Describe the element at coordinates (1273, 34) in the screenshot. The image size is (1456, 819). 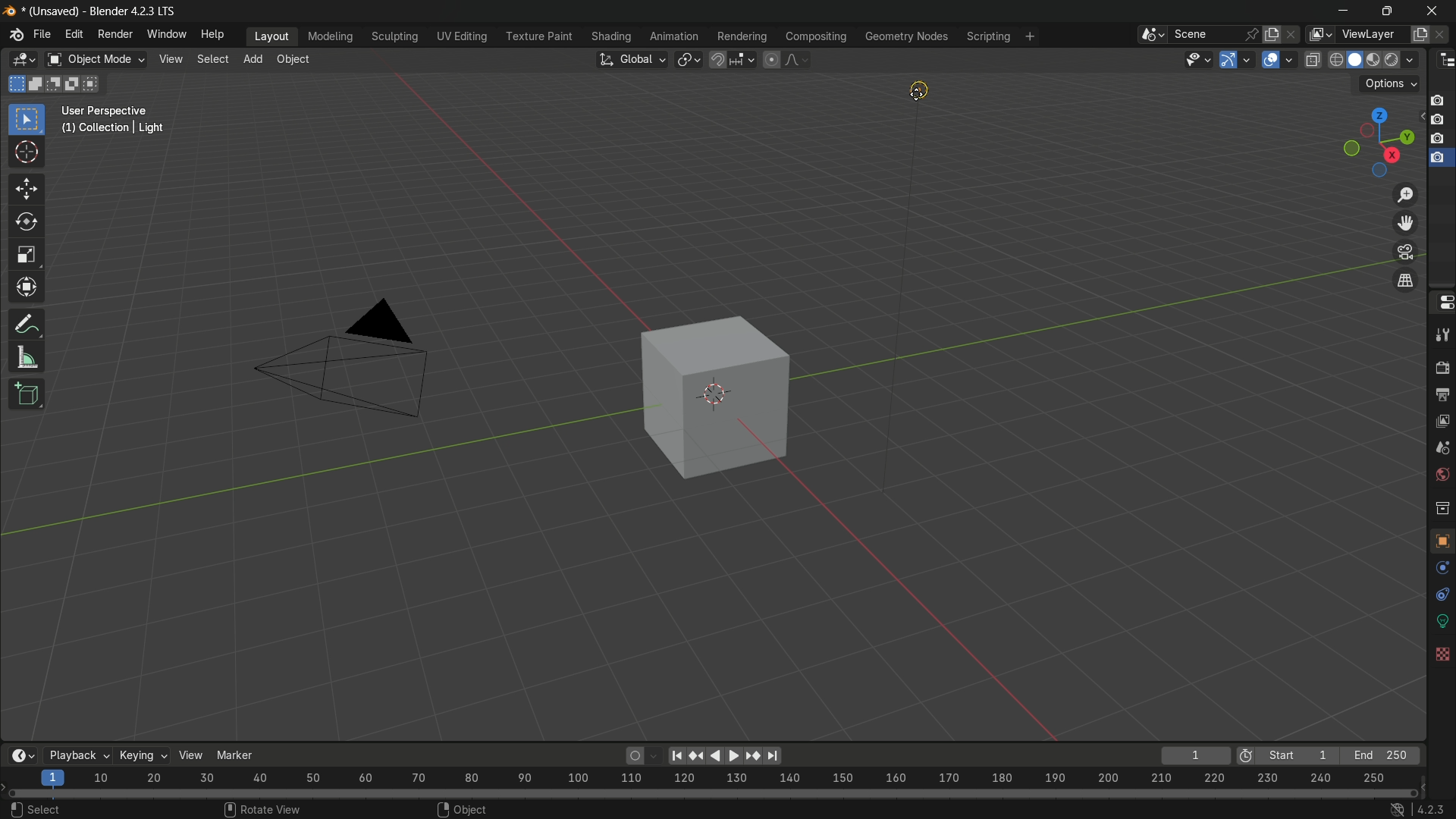
I see `add new scene` at that location.